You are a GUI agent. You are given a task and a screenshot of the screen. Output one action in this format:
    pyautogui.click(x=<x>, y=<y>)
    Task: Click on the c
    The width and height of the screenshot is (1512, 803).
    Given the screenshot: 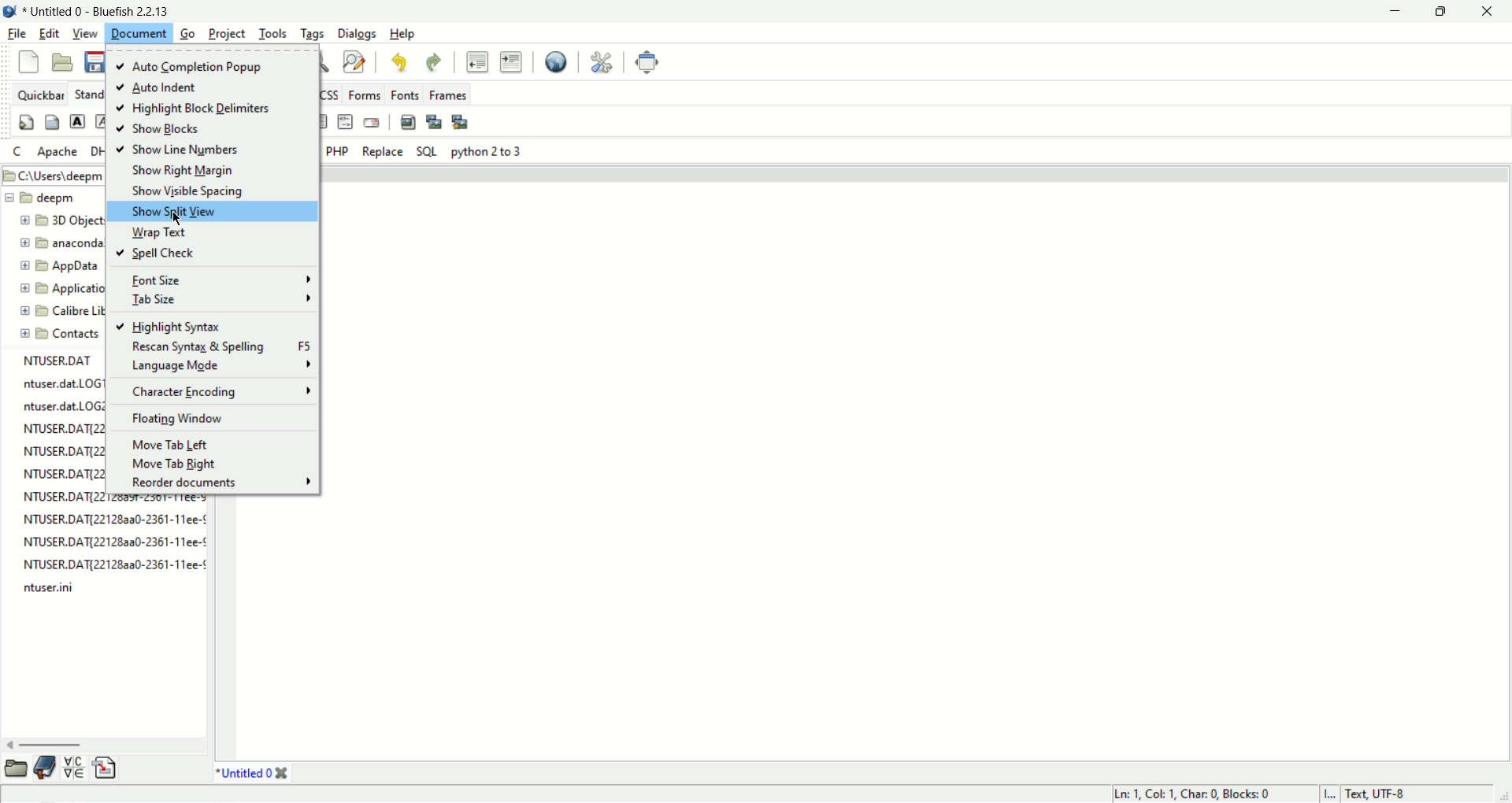 What is the action you would take?
    pyautogui.click(x=20, y=152)
    